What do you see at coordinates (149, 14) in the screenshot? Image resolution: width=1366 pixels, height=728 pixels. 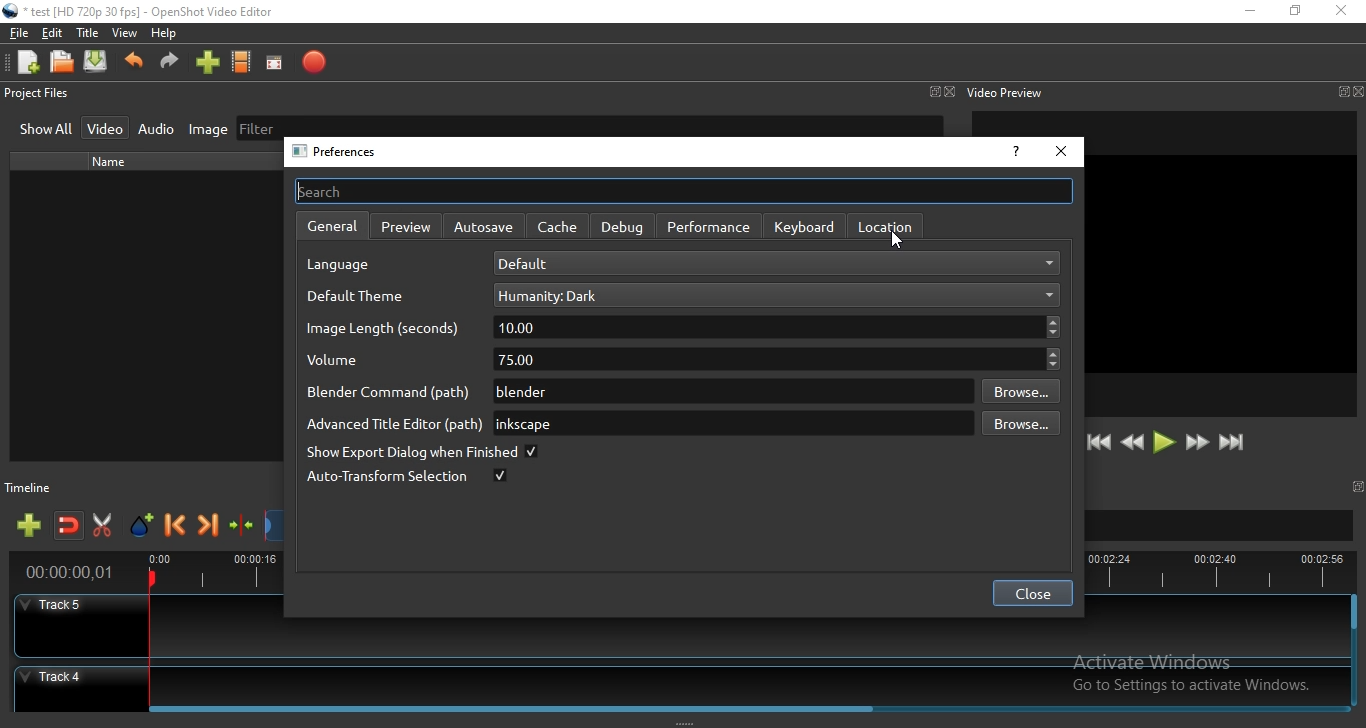 I see `" test [HD 720p 30 fps] - OpenShot Video Editor` at bounding box center [149, 14].